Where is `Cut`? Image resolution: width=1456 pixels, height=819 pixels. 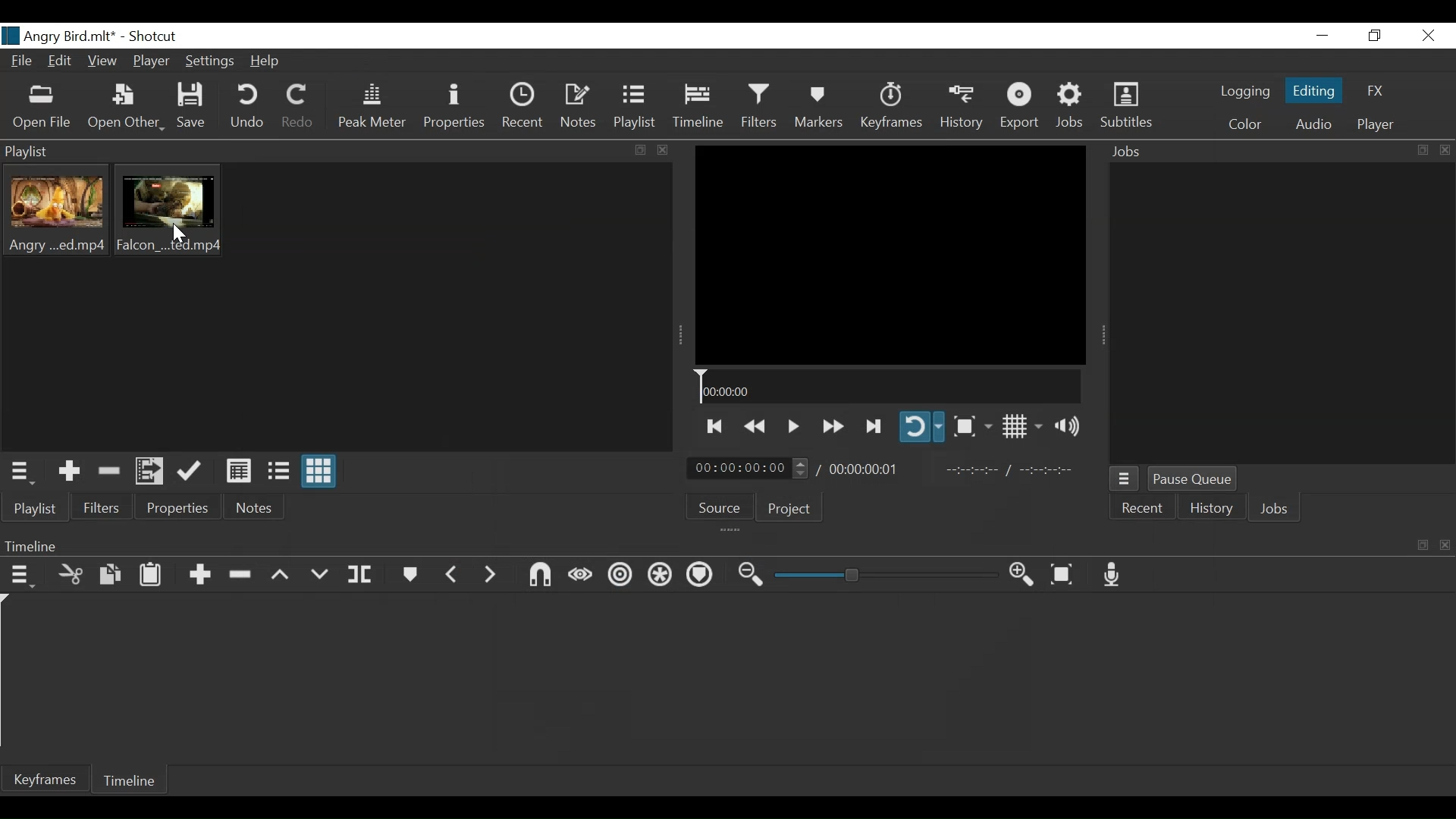 Cut is located at coordinates (71, 576).